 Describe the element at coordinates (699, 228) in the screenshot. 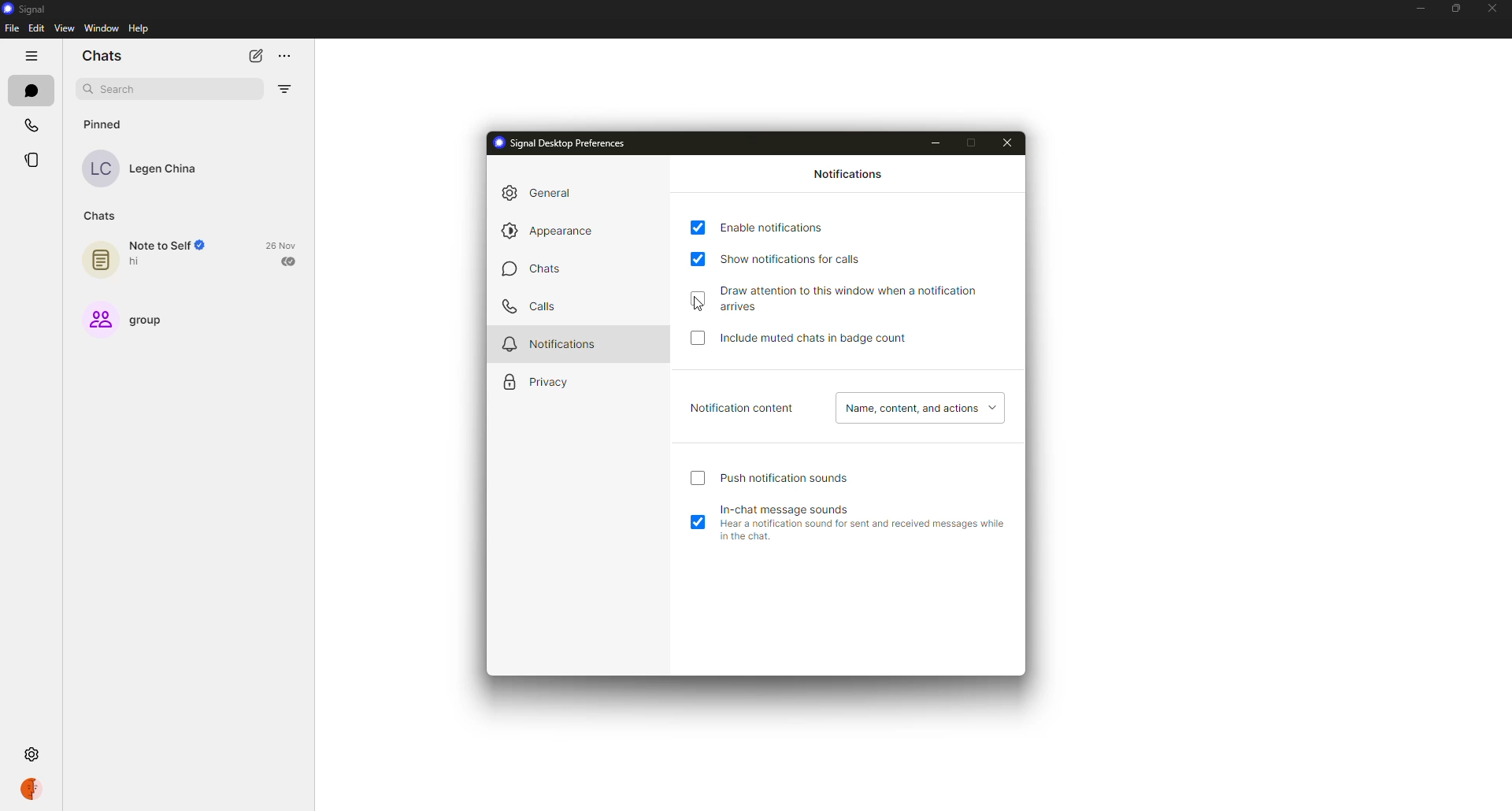

I see `enabled` at that location.